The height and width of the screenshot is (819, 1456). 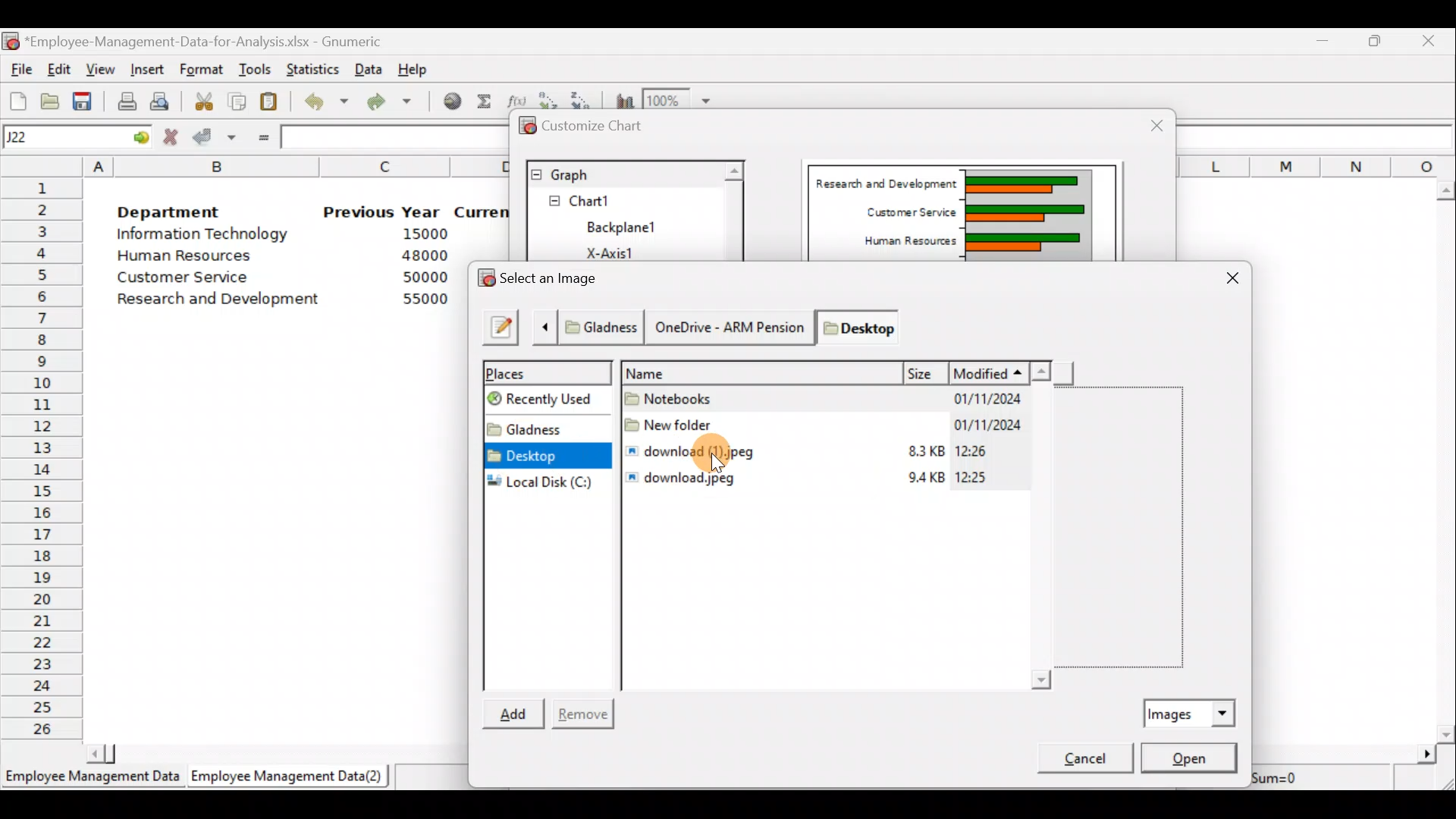 I want to click on Name, so click(x=763, y=372).